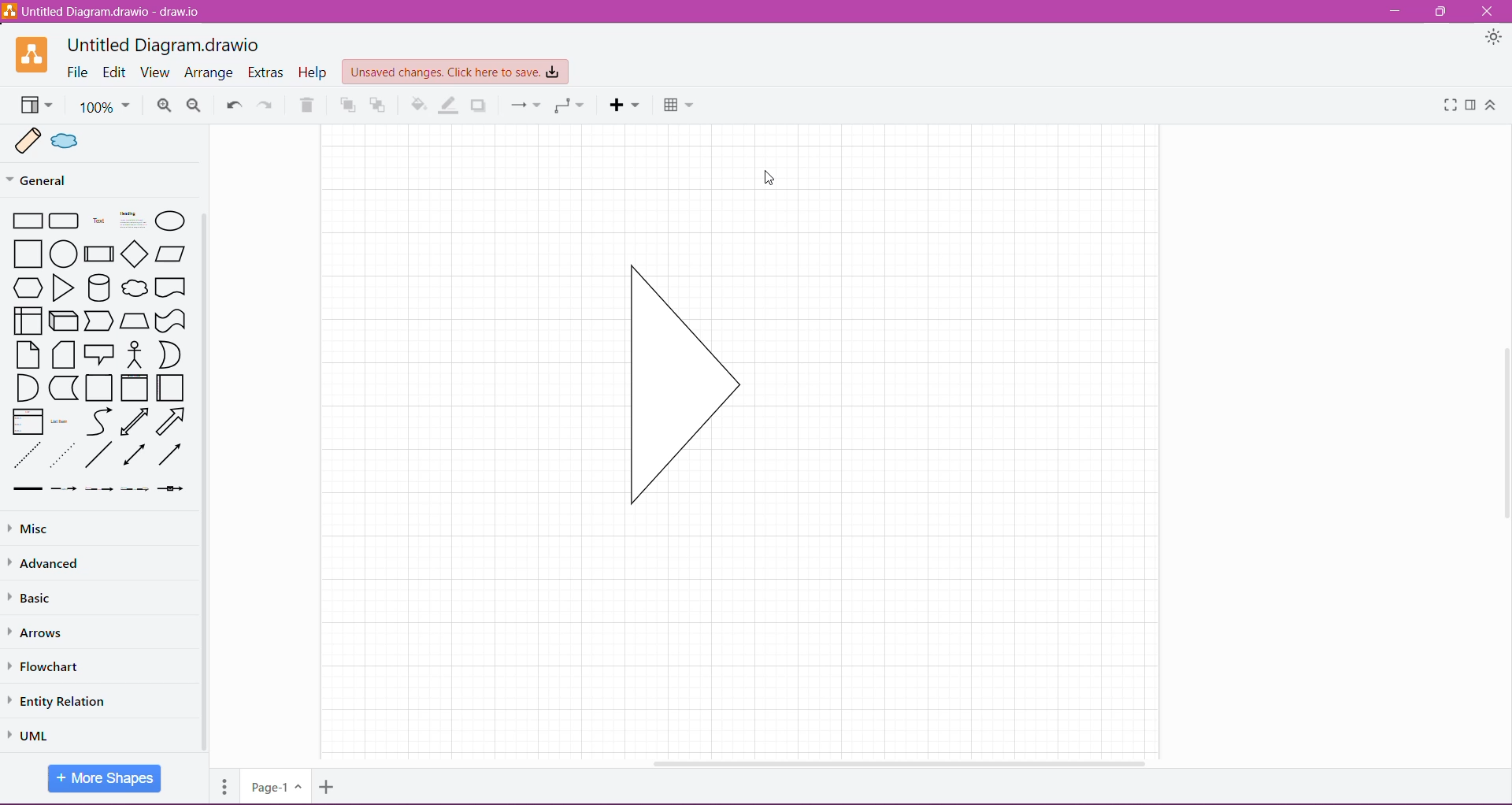 The height and width of the screenshot is (805, 1512). I want to click on Cursor, so click(768, 179).